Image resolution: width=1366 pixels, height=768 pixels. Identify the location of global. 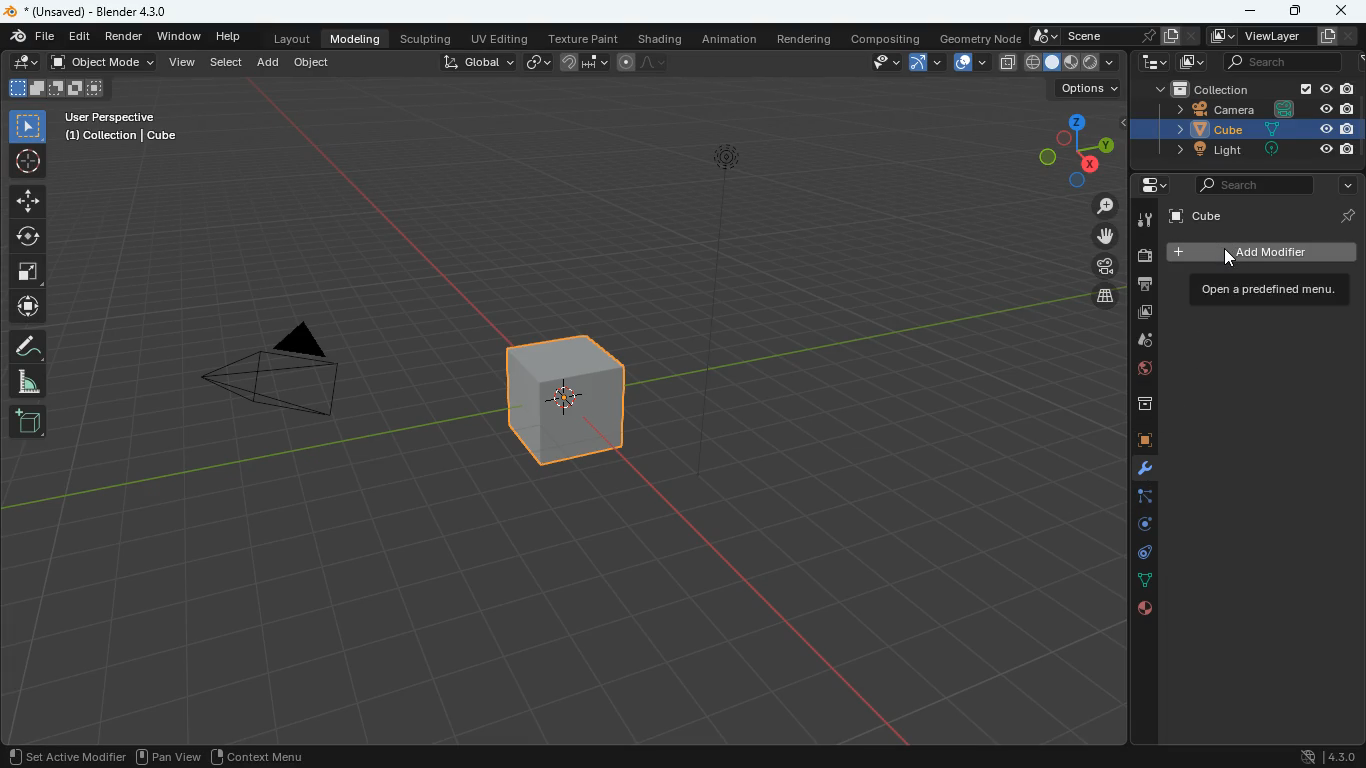
(480, 62).